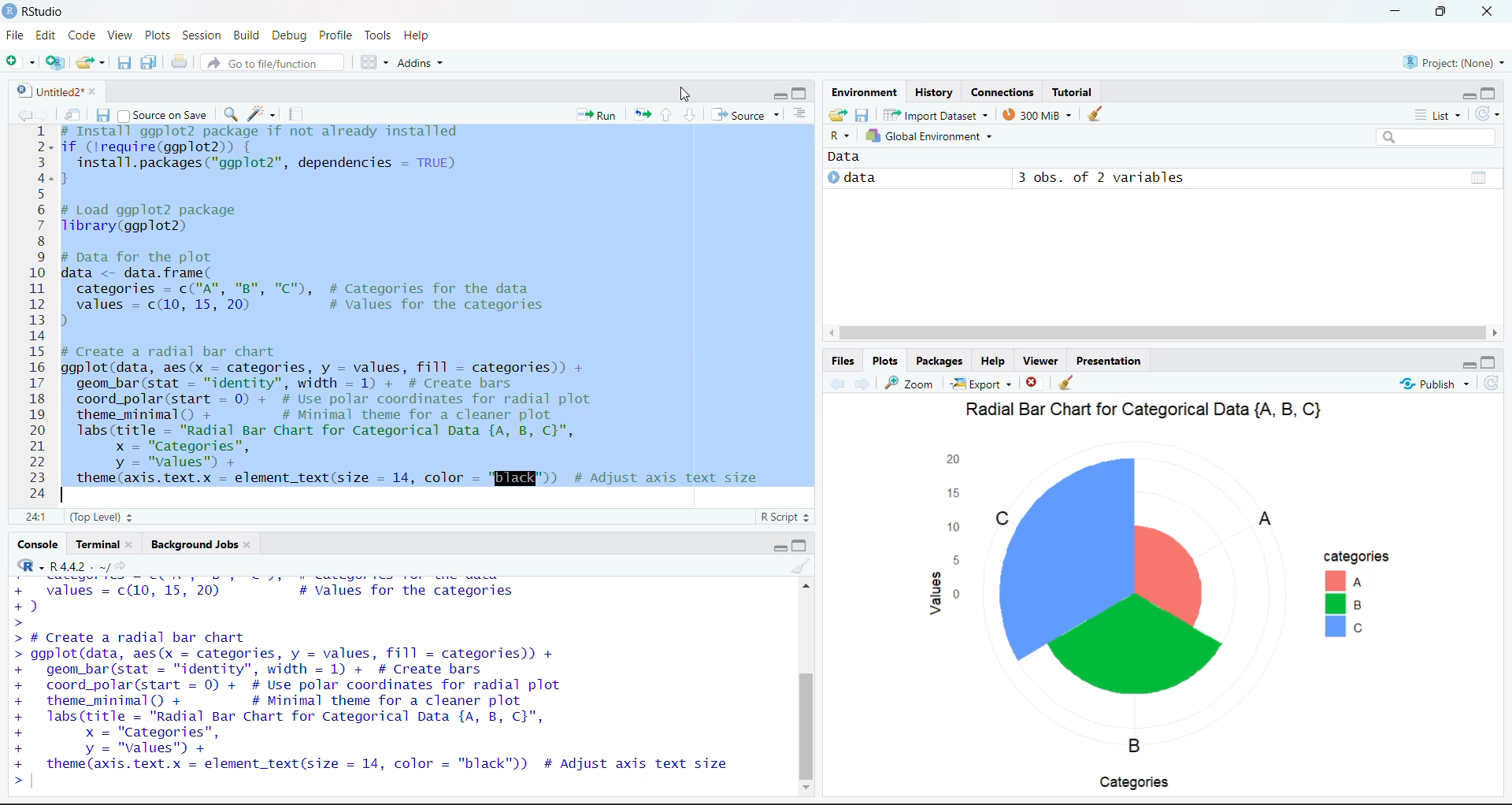 Image resolution: width=1512 pixels, height=805 pixels. I want to click on Connections, so click(1000, 93).